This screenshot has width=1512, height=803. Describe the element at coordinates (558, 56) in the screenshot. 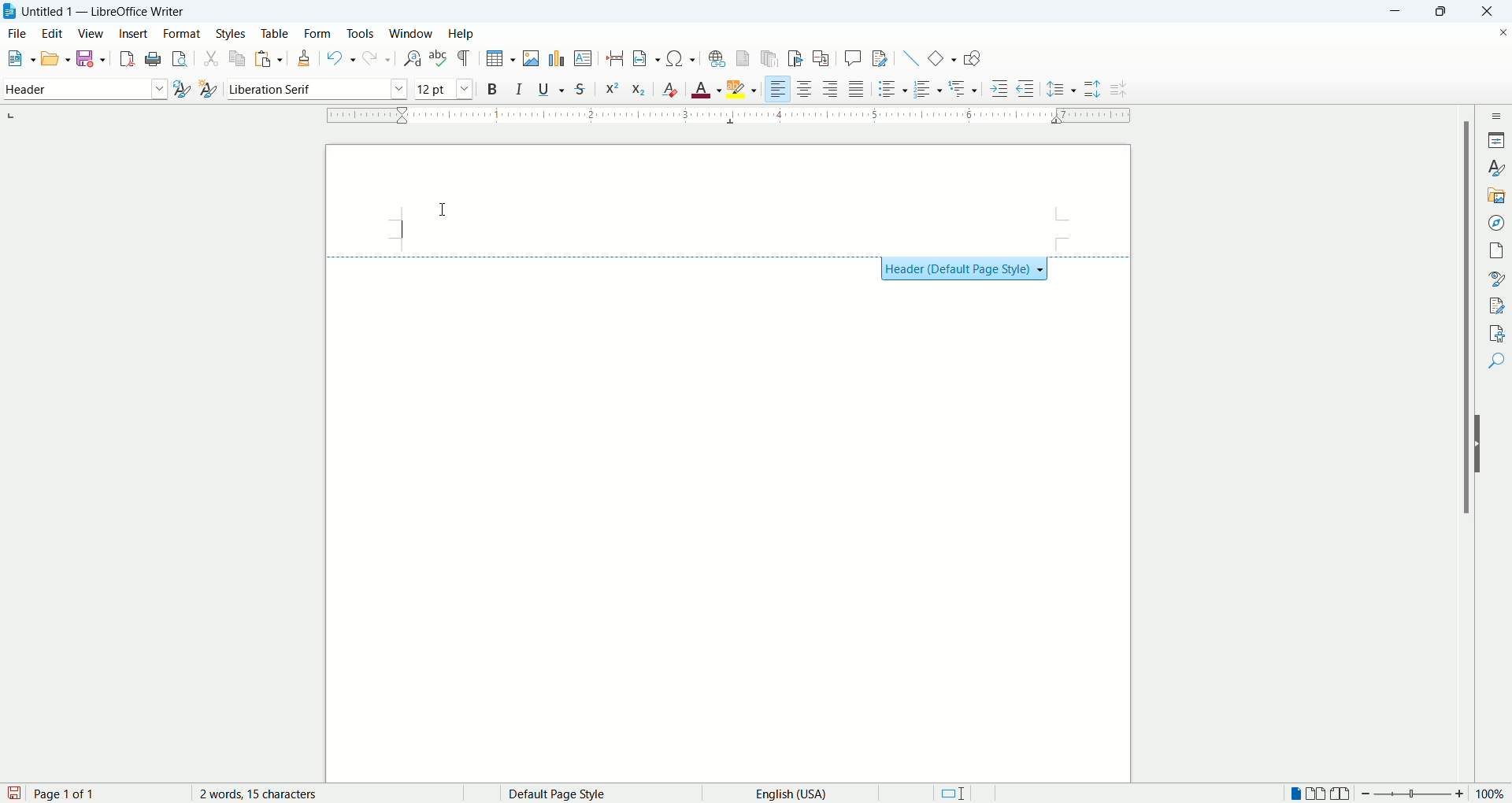

I see `insert chart` at that location.